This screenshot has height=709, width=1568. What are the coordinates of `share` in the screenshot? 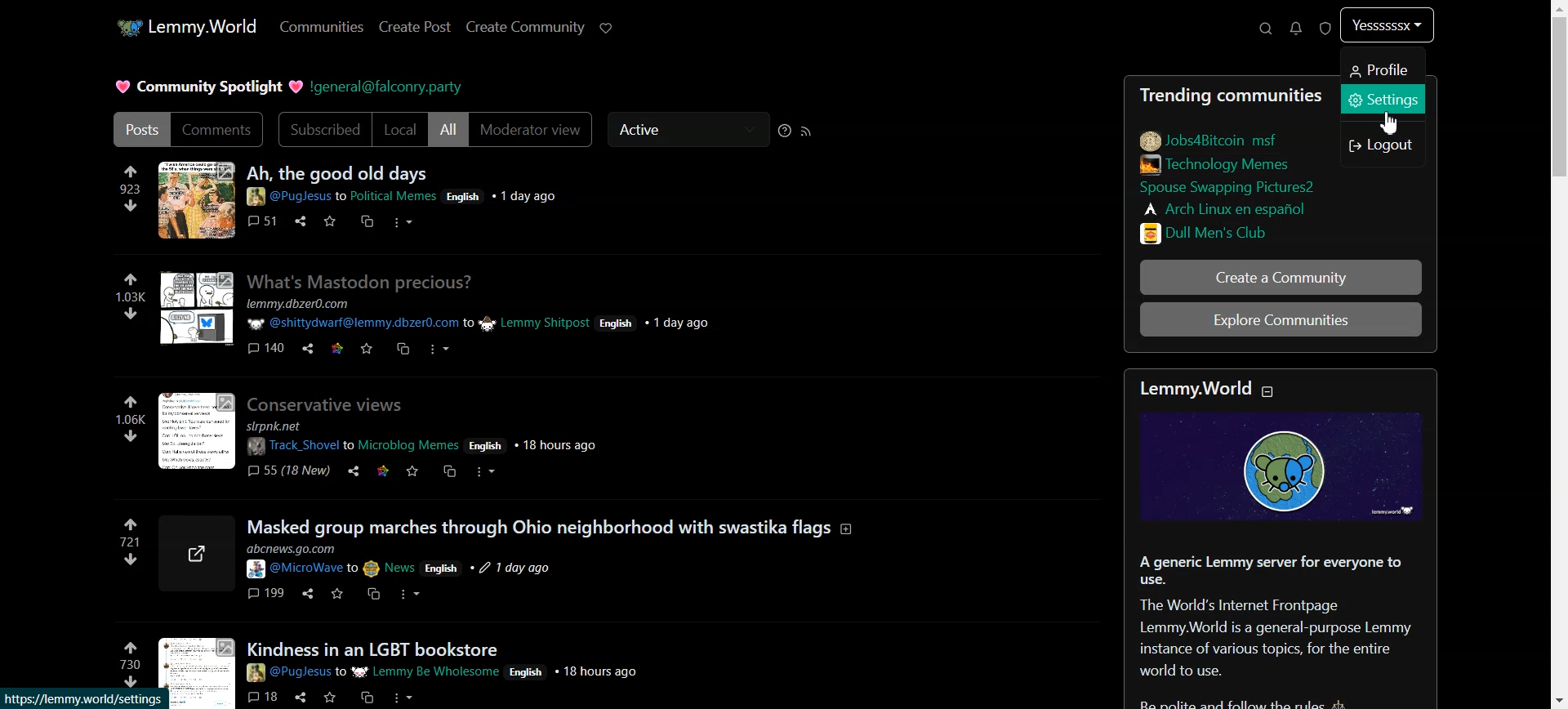 It's located at (306, 593).